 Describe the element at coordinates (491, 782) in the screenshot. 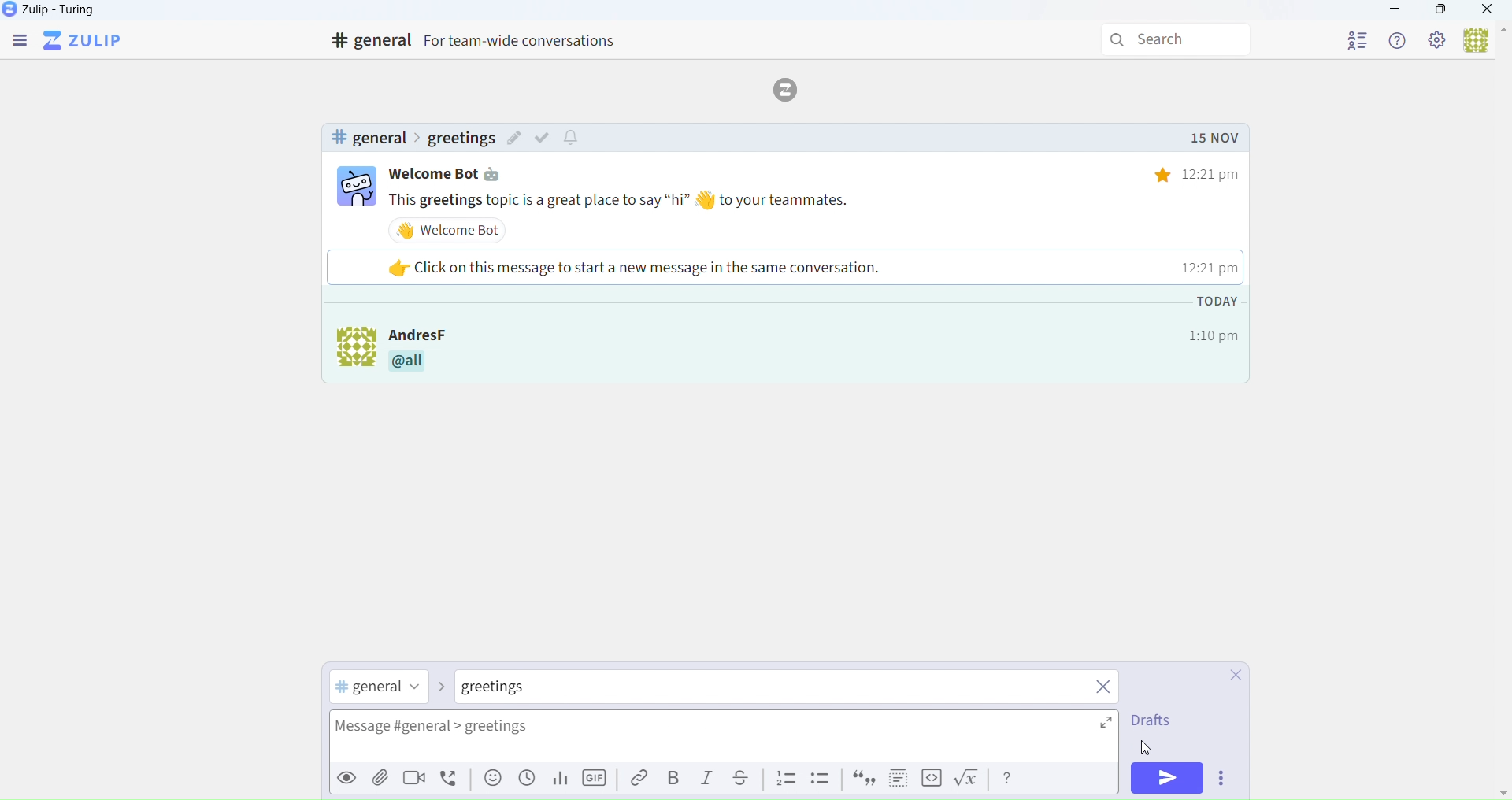

I see `Emoji` at that location.